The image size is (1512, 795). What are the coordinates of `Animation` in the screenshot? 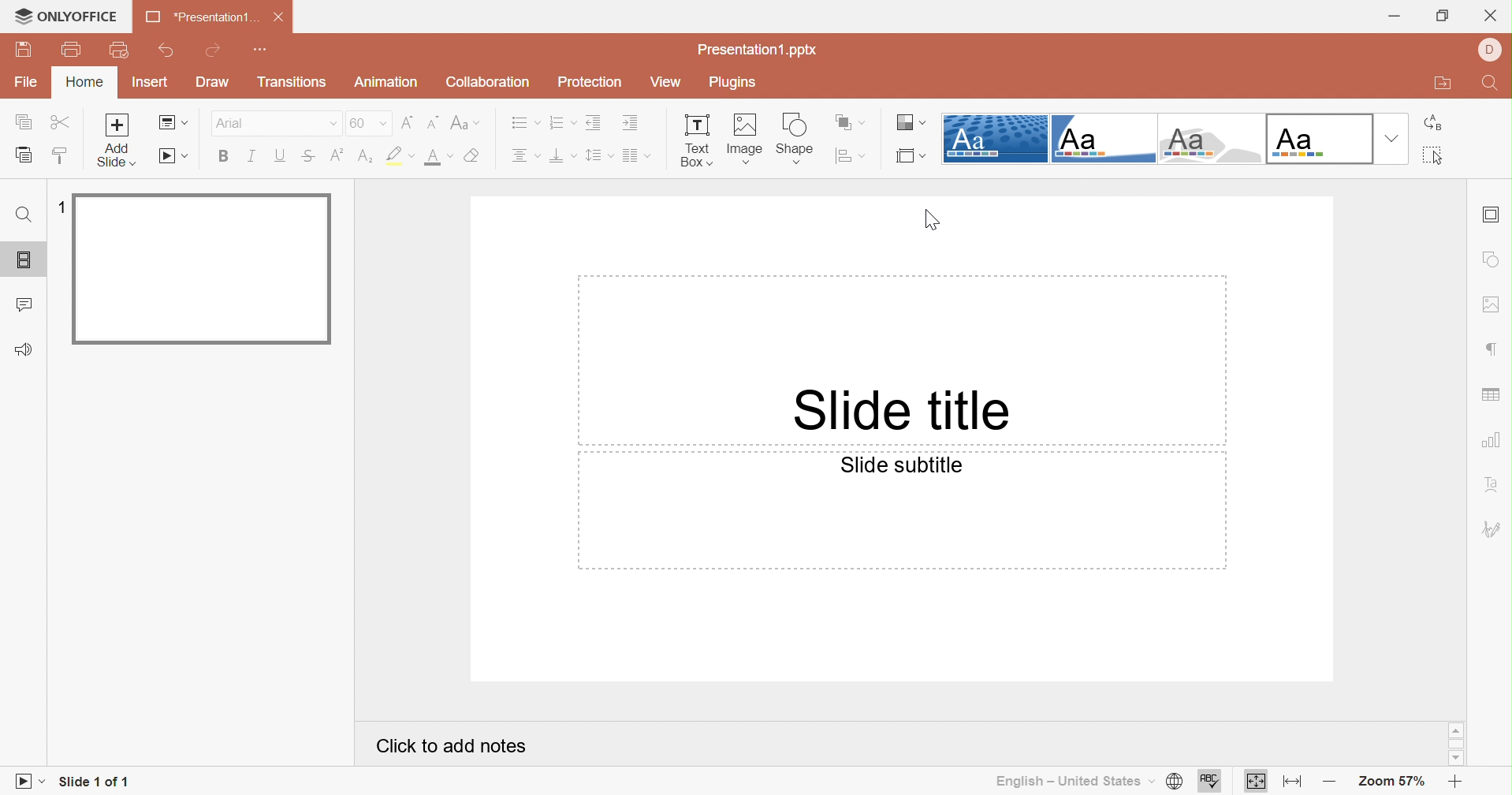 It's located at (385, 82).